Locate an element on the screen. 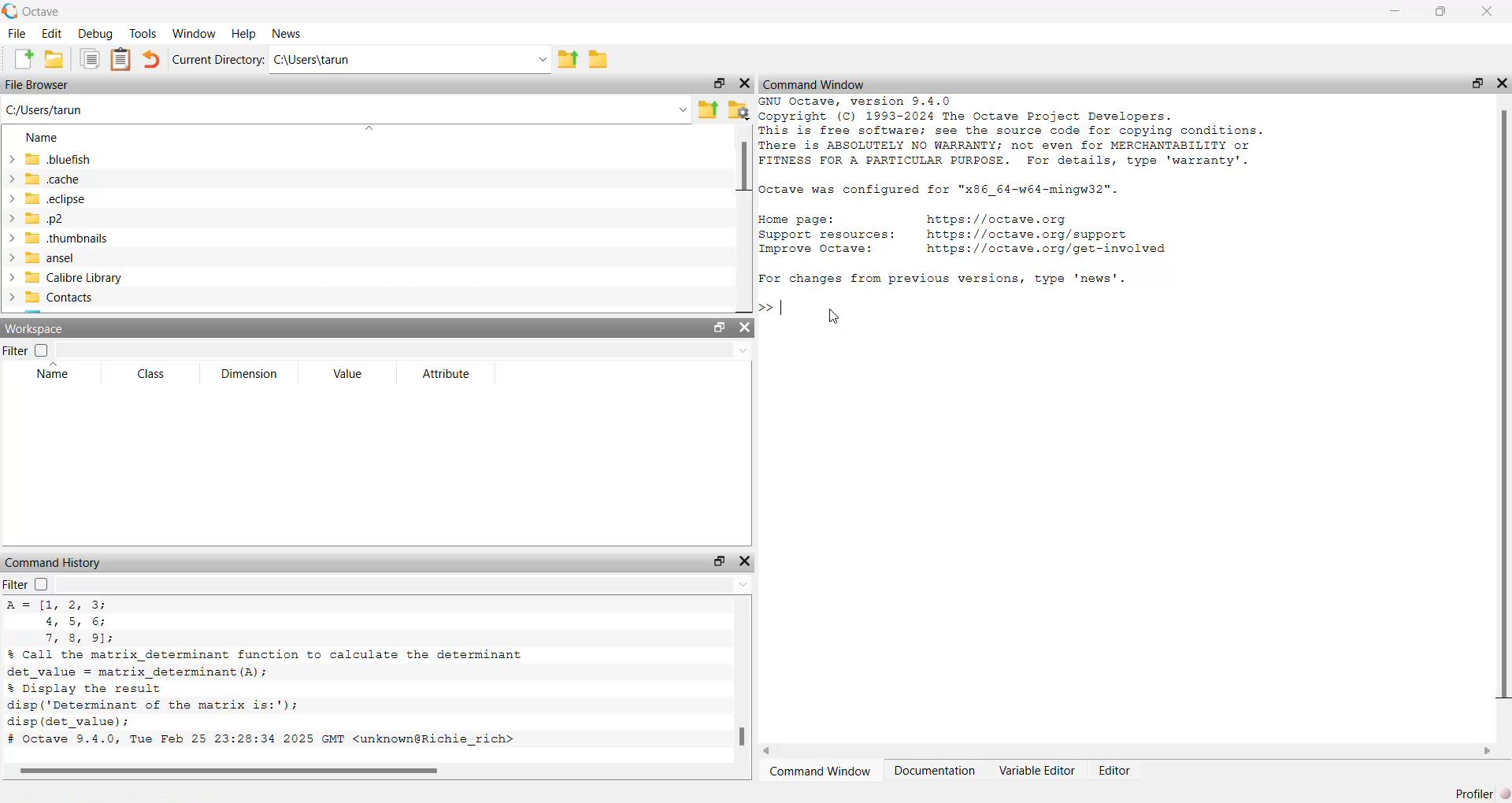 This screenshot has height=803, width=1512. one directory up is located at coordinates (568, 58).